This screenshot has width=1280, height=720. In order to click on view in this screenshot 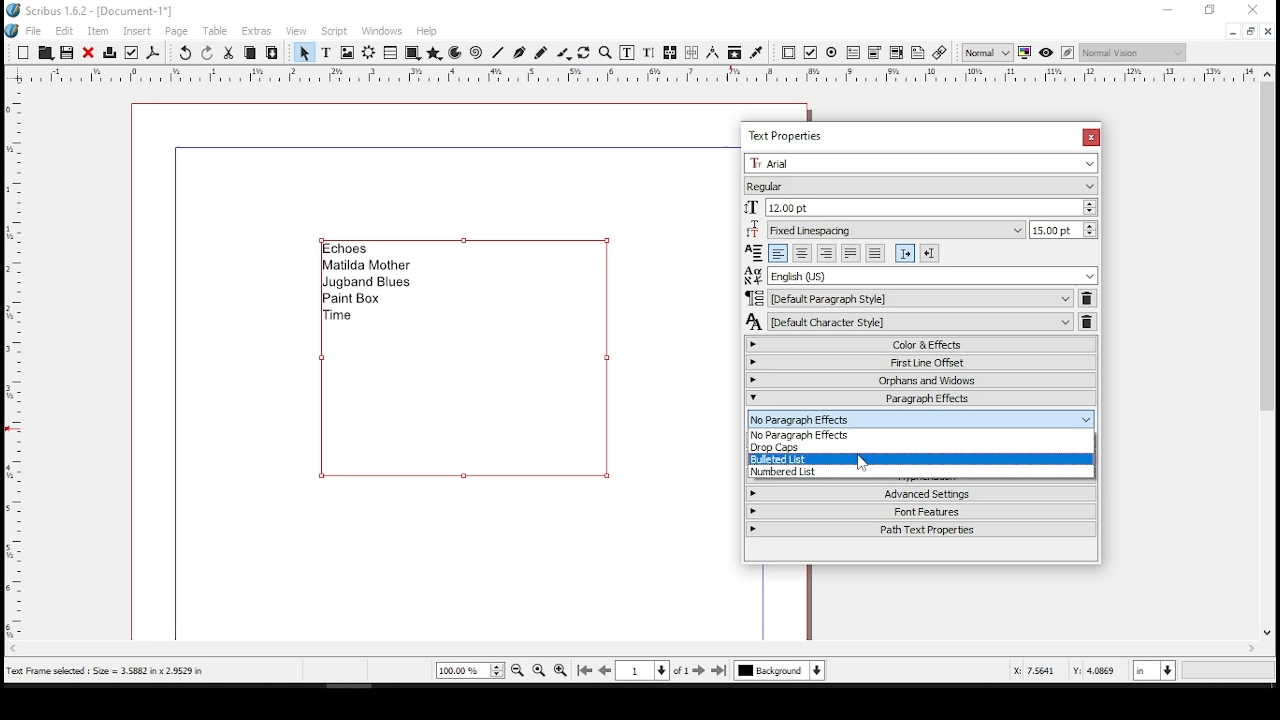, I will do `click(296, 32)`.